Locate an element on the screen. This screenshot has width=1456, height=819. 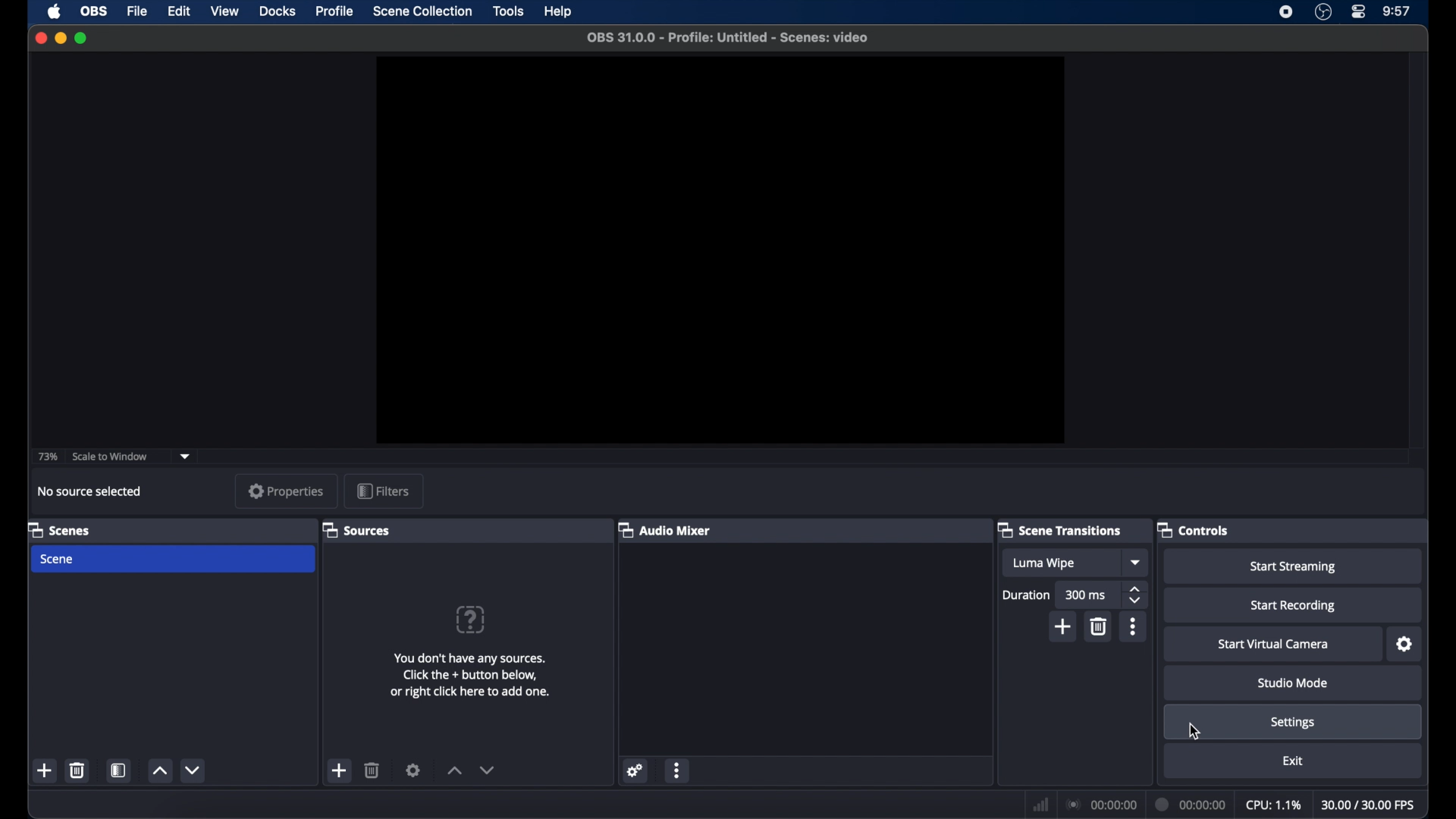
delete is located at coordinates (80, 770).